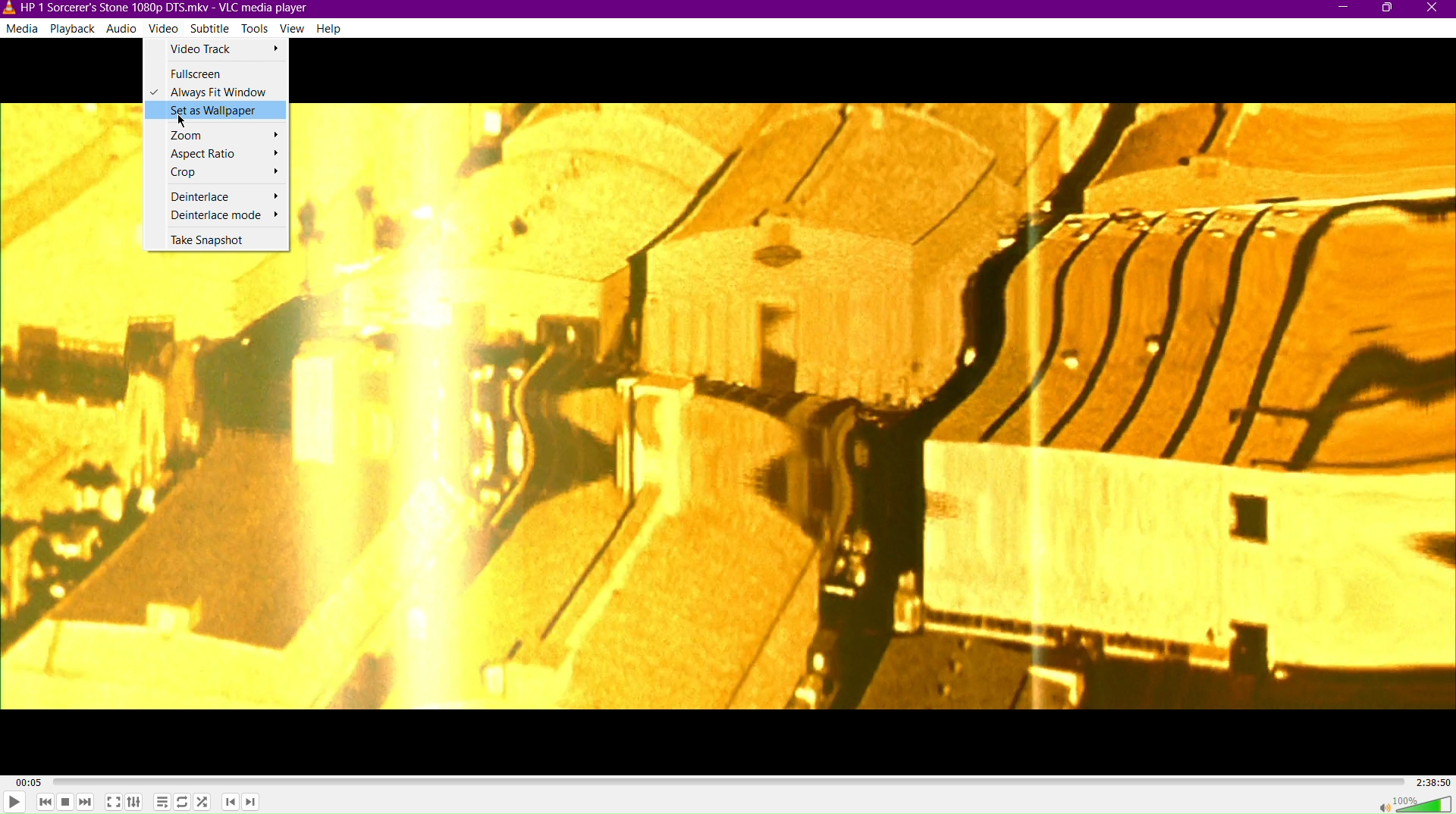 The height and width of the screenshot is (814, 1456). I want to click on Media, so click(23, 30).